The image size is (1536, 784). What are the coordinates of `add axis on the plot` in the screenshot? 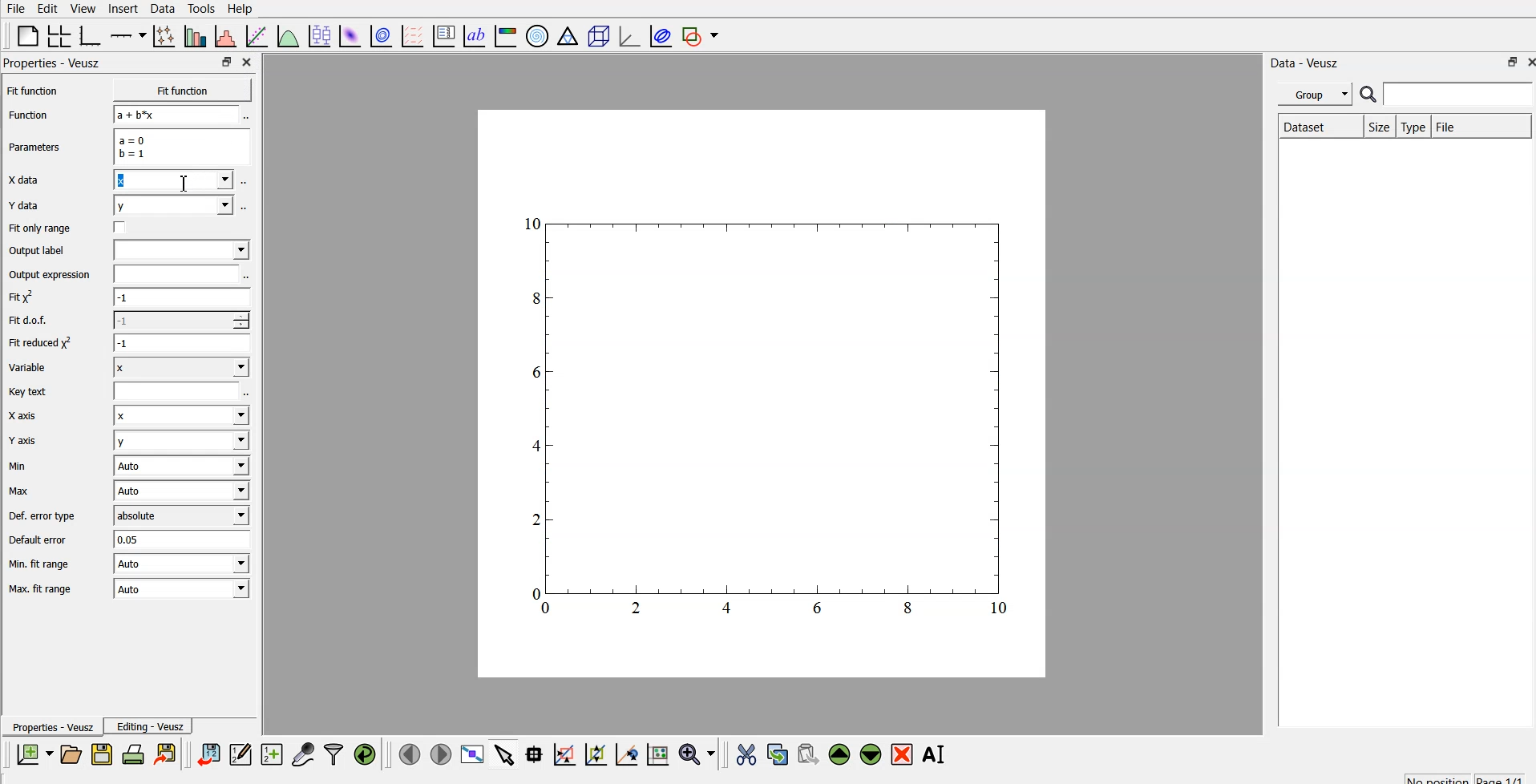 It's located at (128, 36).